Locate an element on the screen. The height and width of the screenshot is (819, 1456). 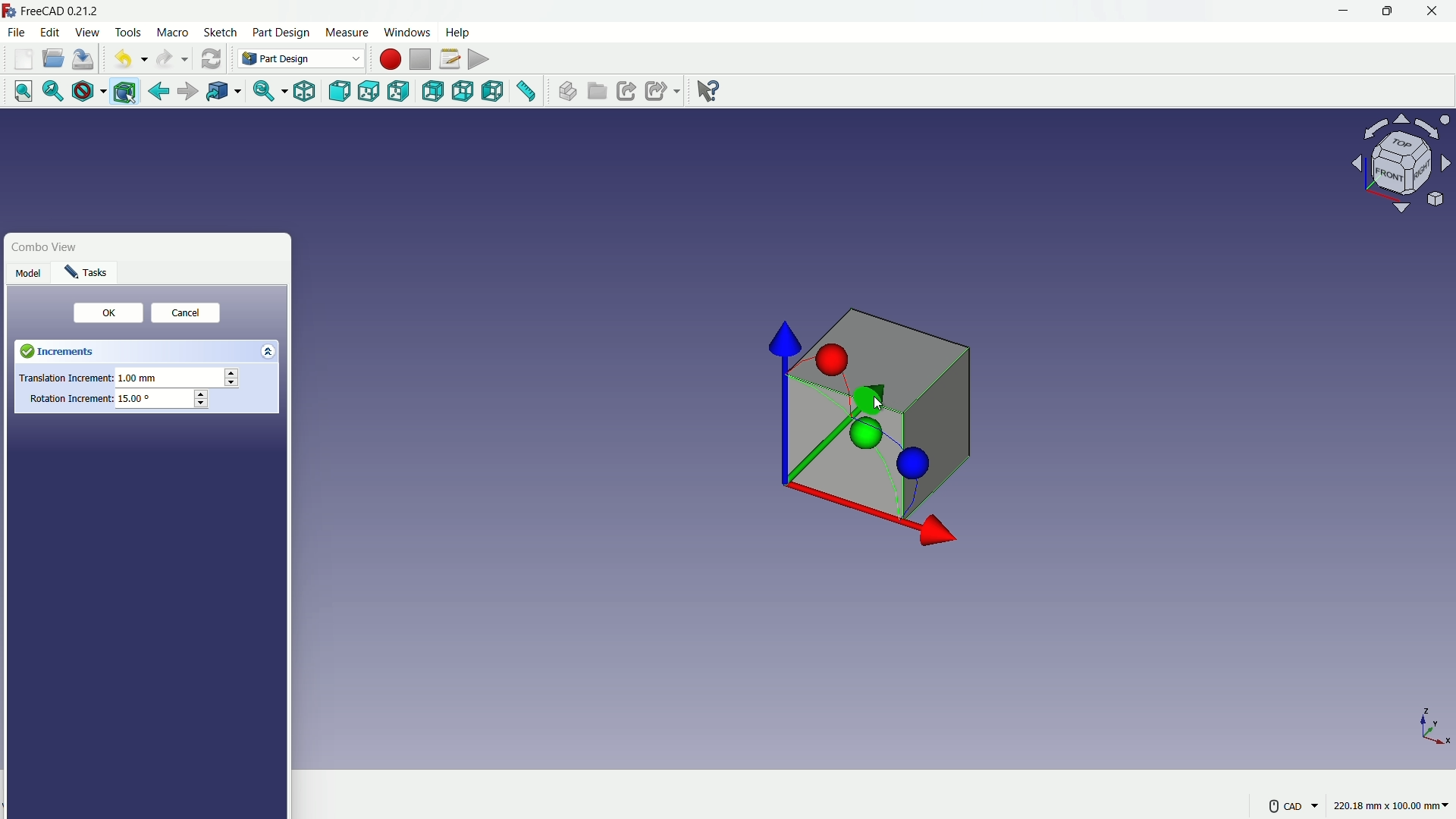
macro is located at coordinates (174, 33).